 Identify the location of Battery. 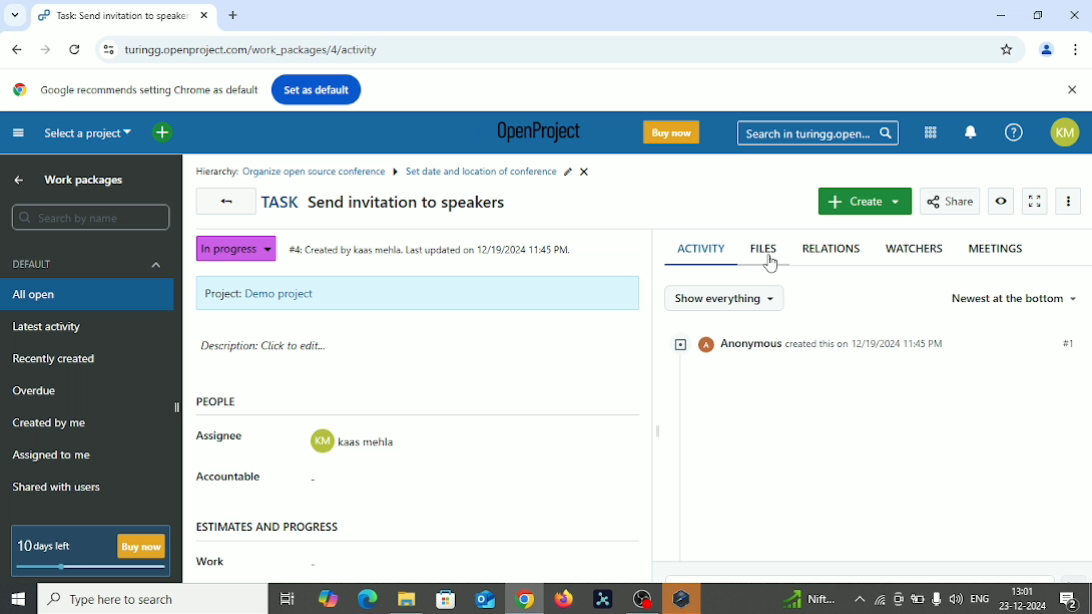
(918, 600).